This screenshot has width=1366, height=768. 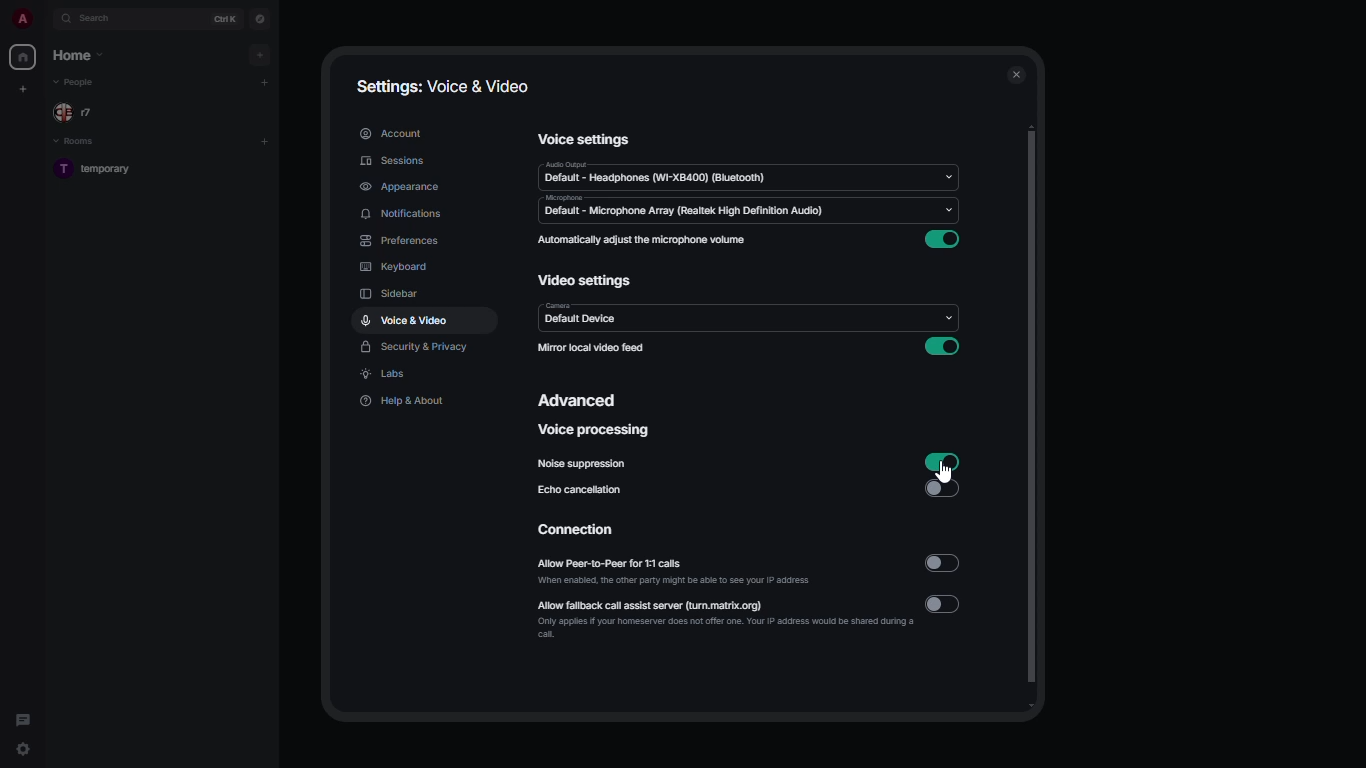 I want to click on notifications, so click(x=403, y=214).